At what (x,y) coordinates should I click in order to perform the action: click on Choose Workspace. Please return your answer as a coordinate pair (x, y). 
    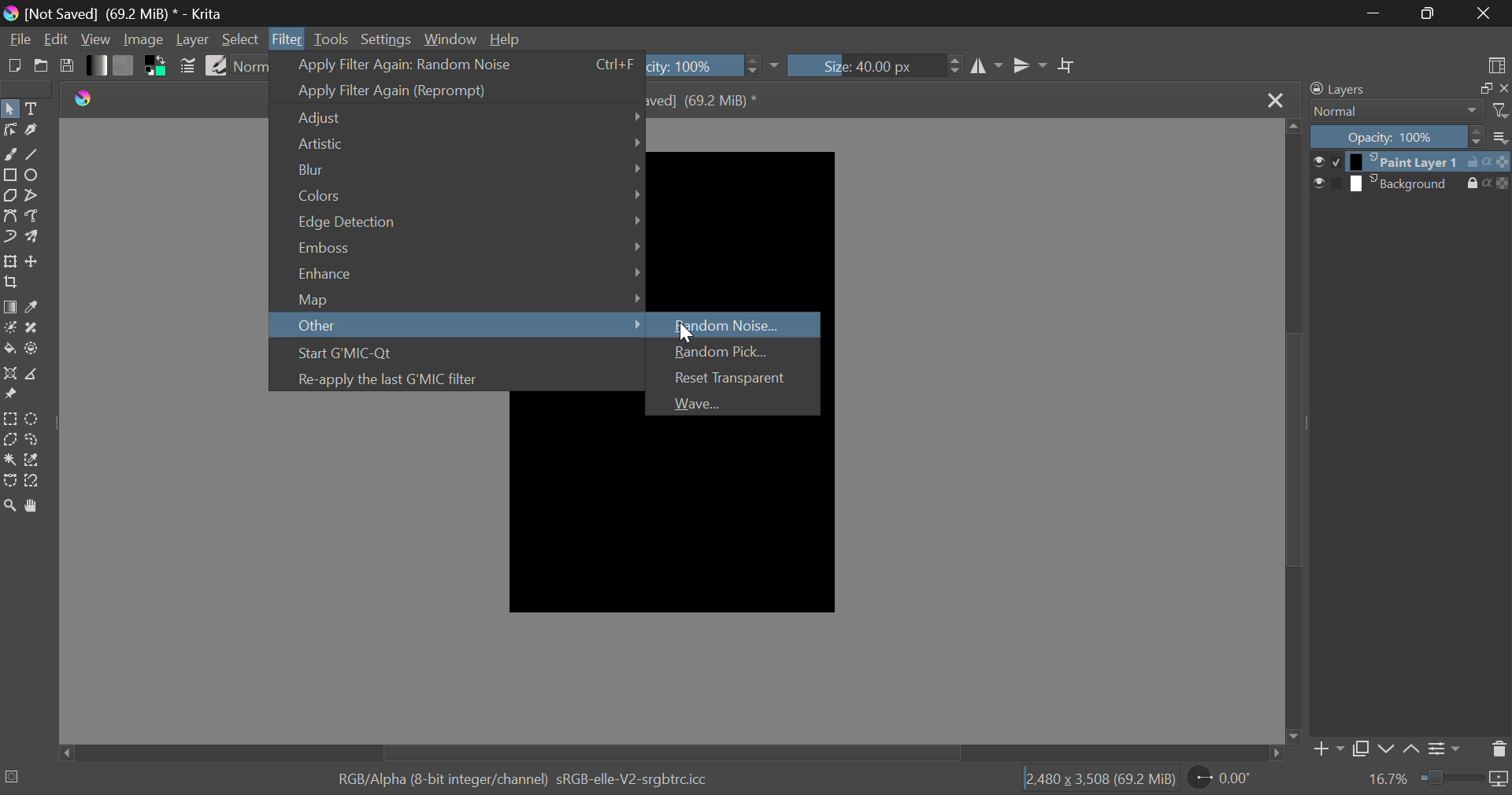
    Looking at the image, I should click on (1495, 64).